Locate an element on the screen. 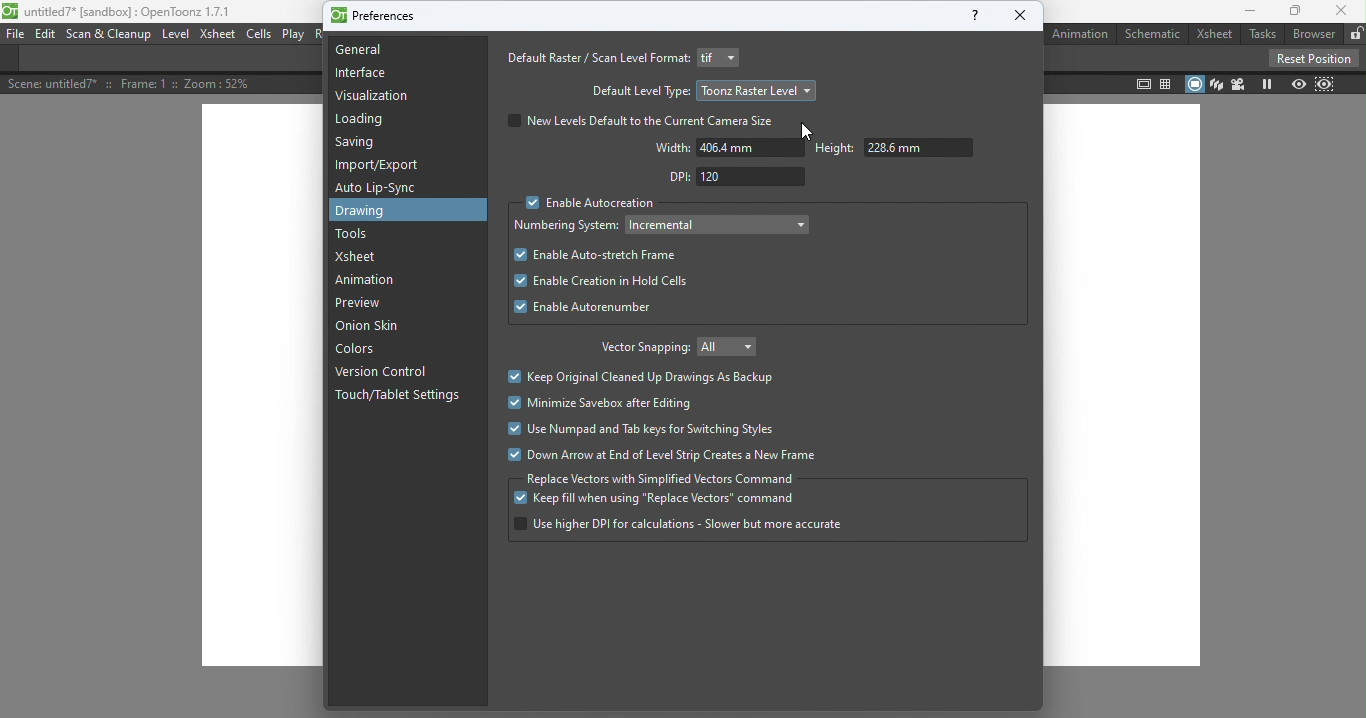 Image resolution: width=1366 pixels, height=718 pixels. File name is located at coordinates (131, 11).